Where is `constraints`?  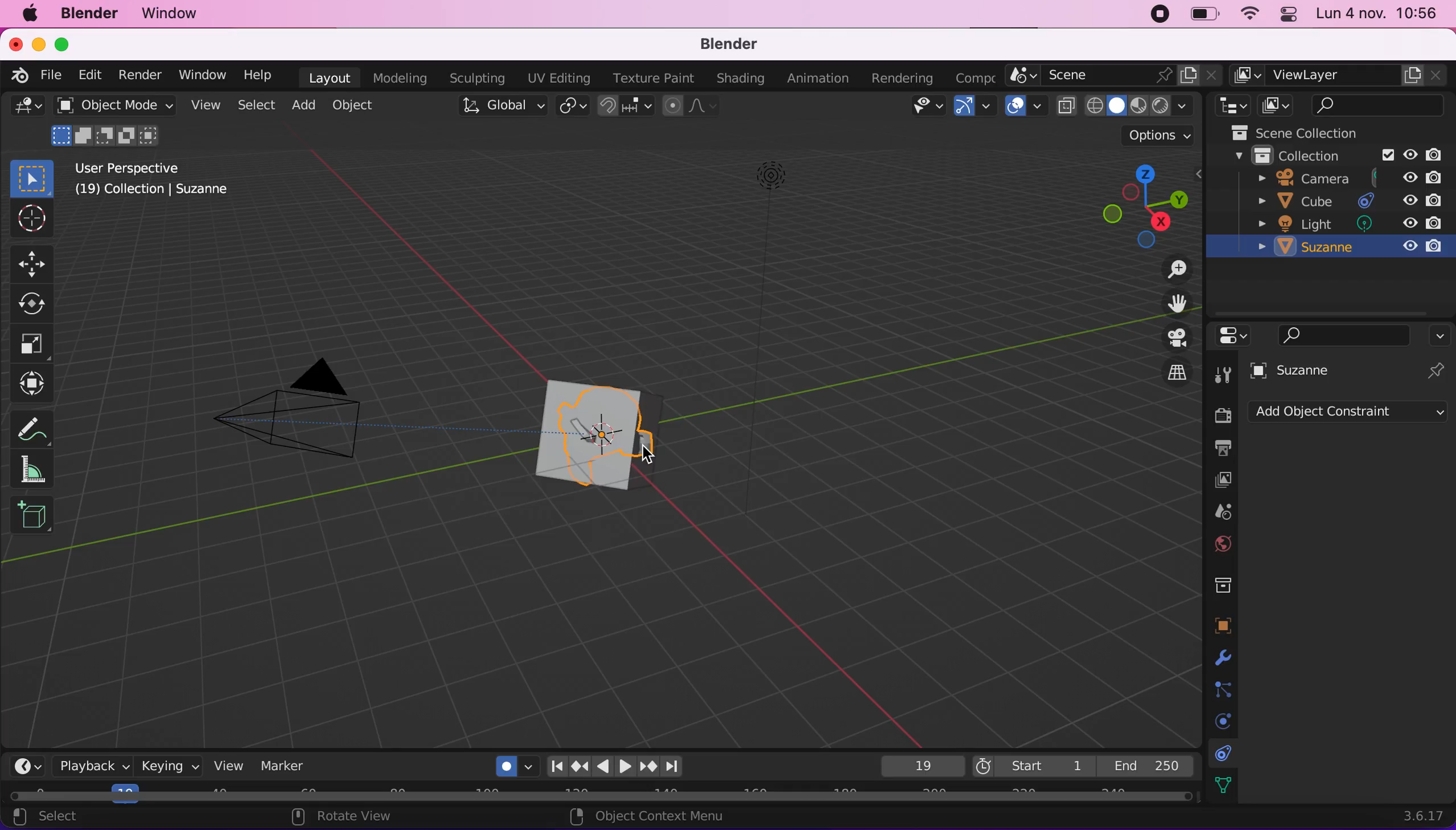 constraints is located at coordinates (1224, 751).